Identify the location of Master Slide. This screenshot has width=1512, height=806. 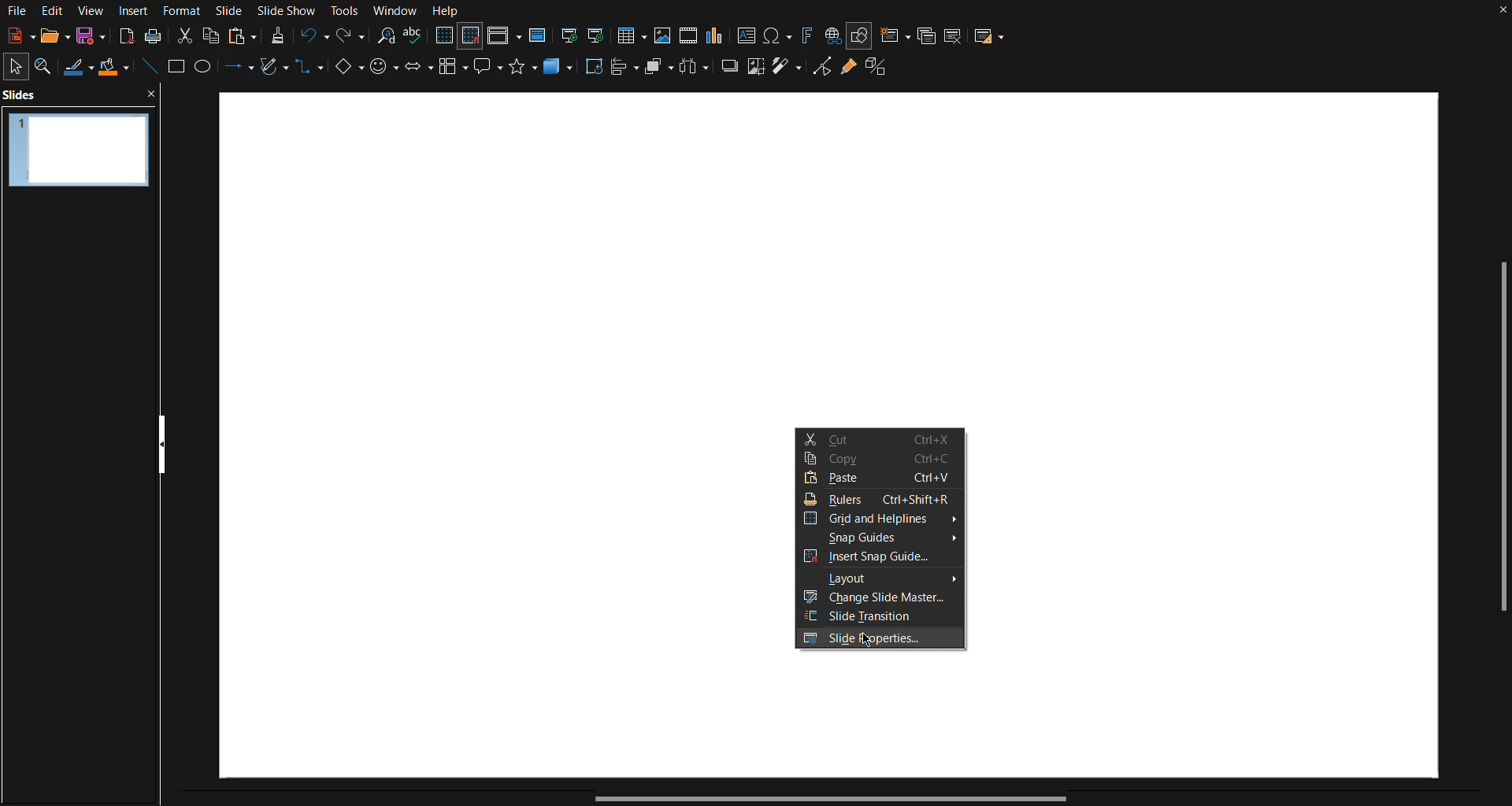
(539, 35).